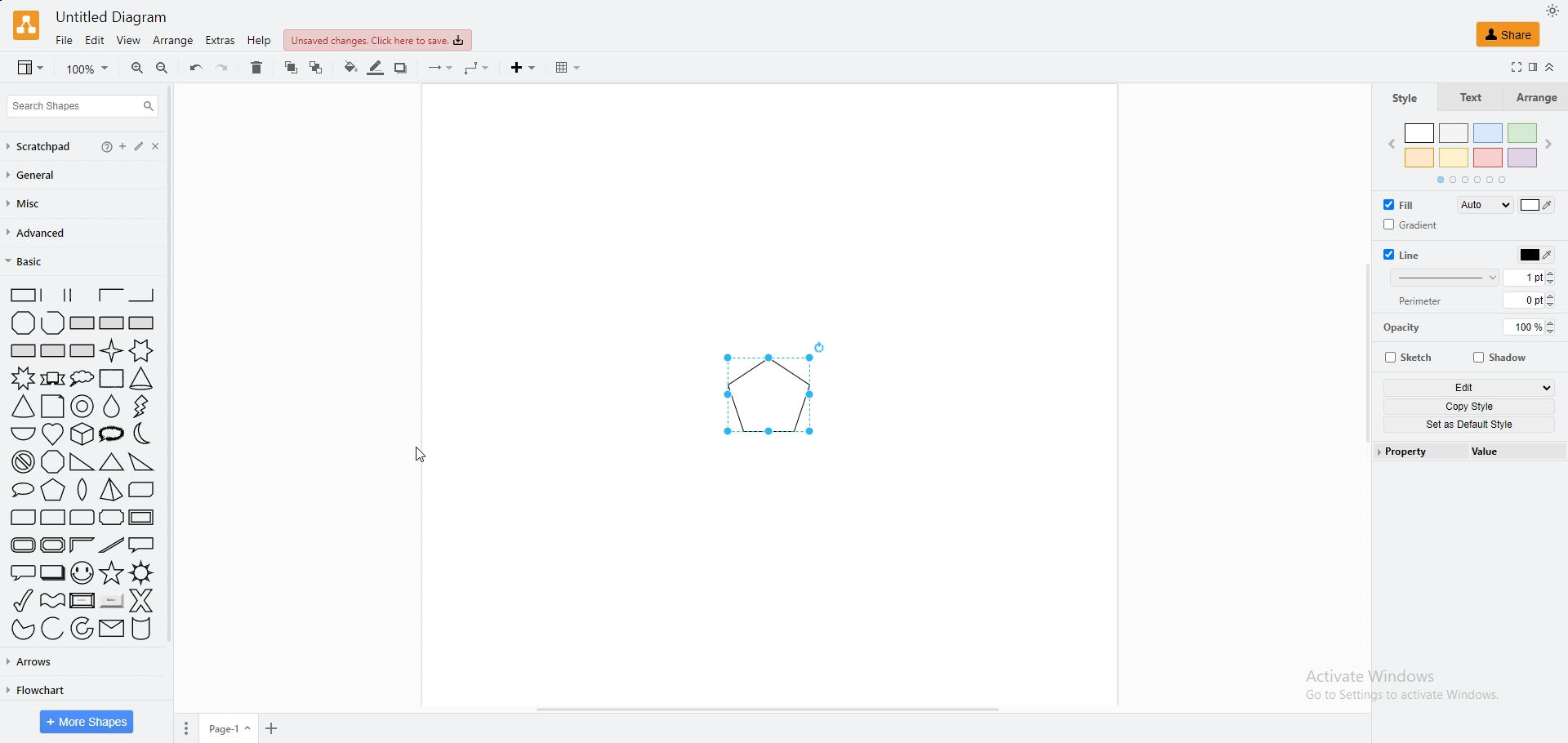  What do you see at coordinates (52, 378) in the screenshot?
I see `banner` at bounding box center [52, 378].